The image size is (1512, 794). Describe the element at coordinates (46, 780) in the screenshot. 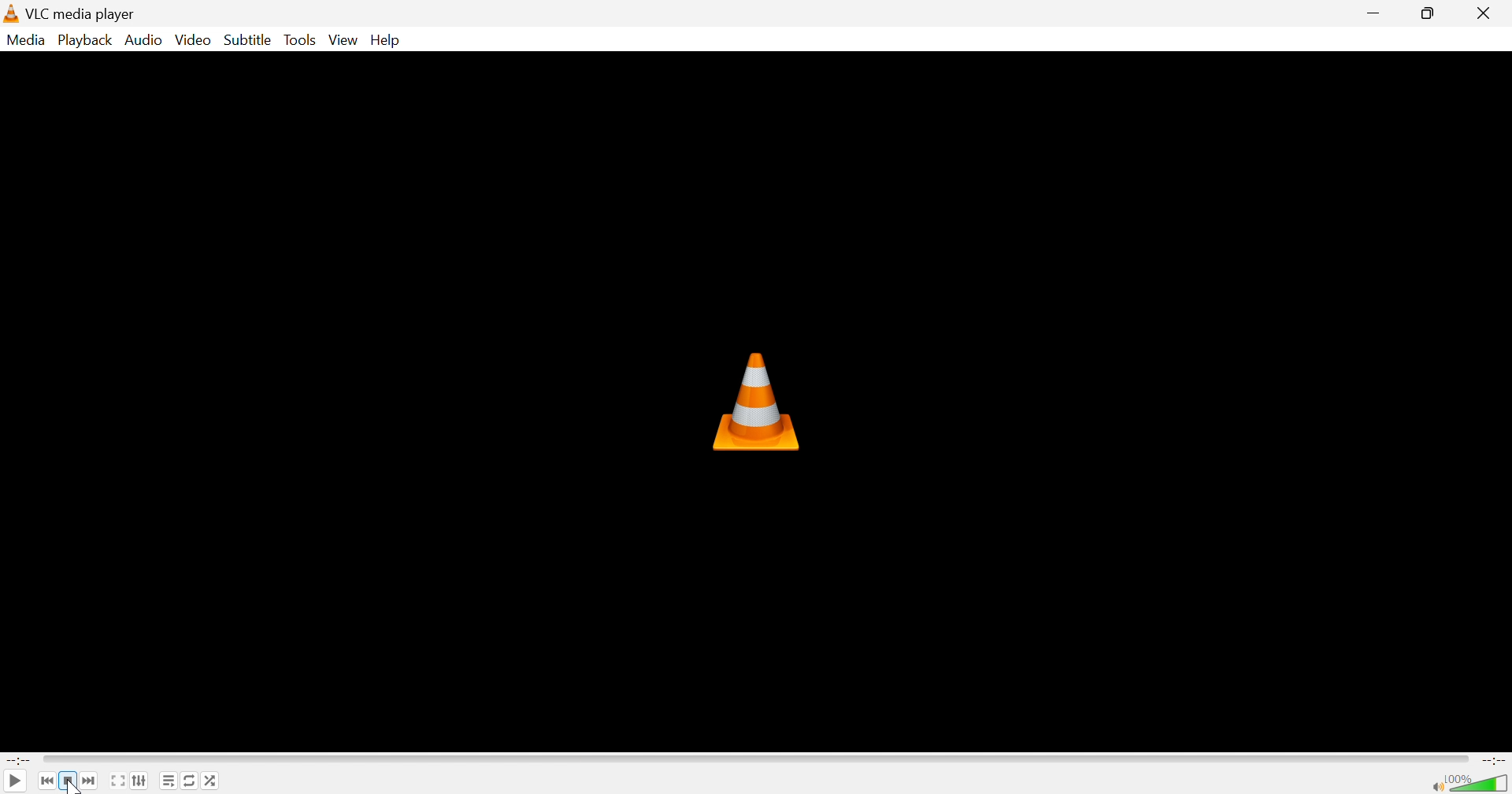

I see `Previous media in the playlist, skip backward when held` at that location.